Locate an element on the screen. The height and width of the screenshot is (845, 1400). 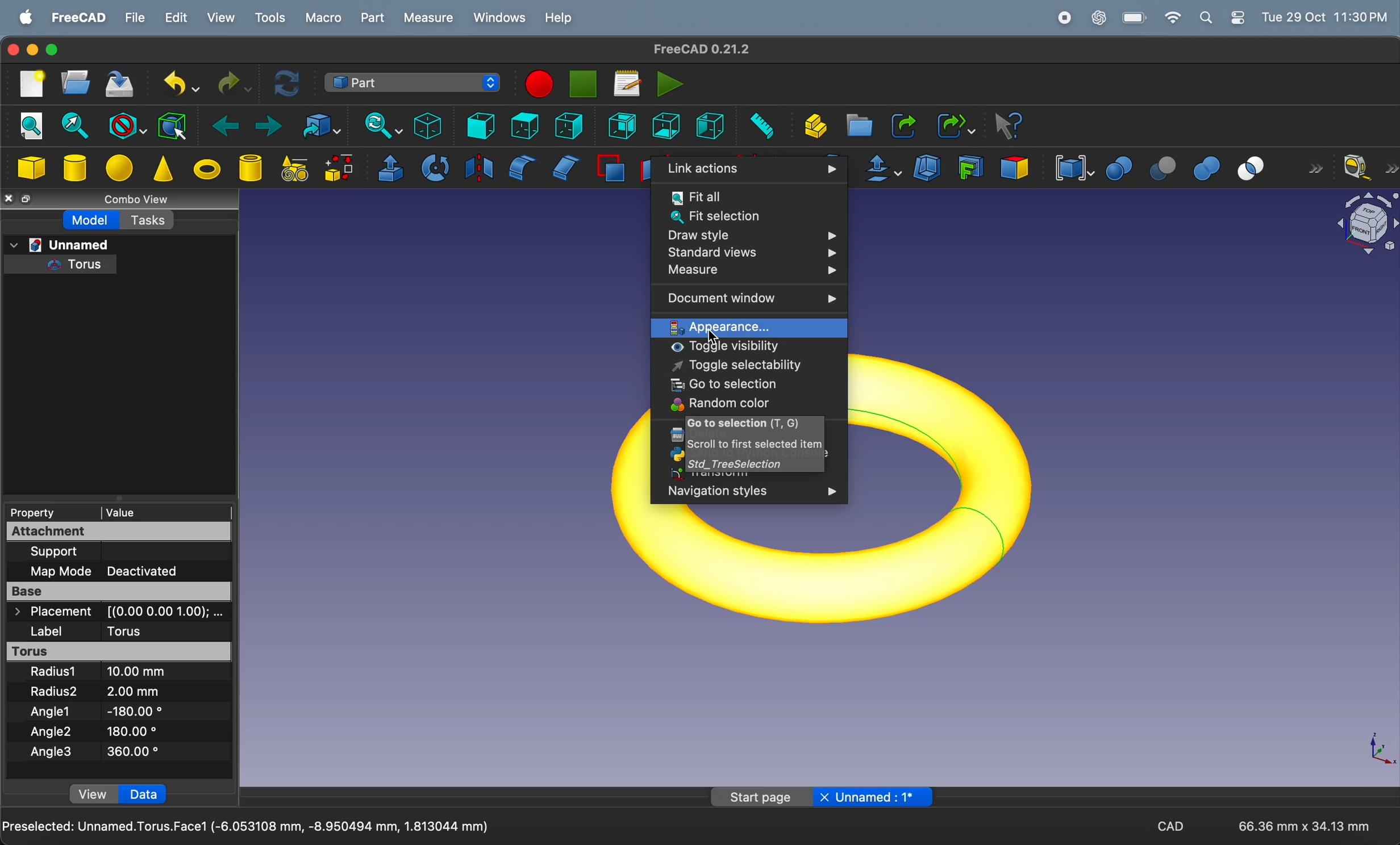
std tree selection is located at coordinates (740, 463).